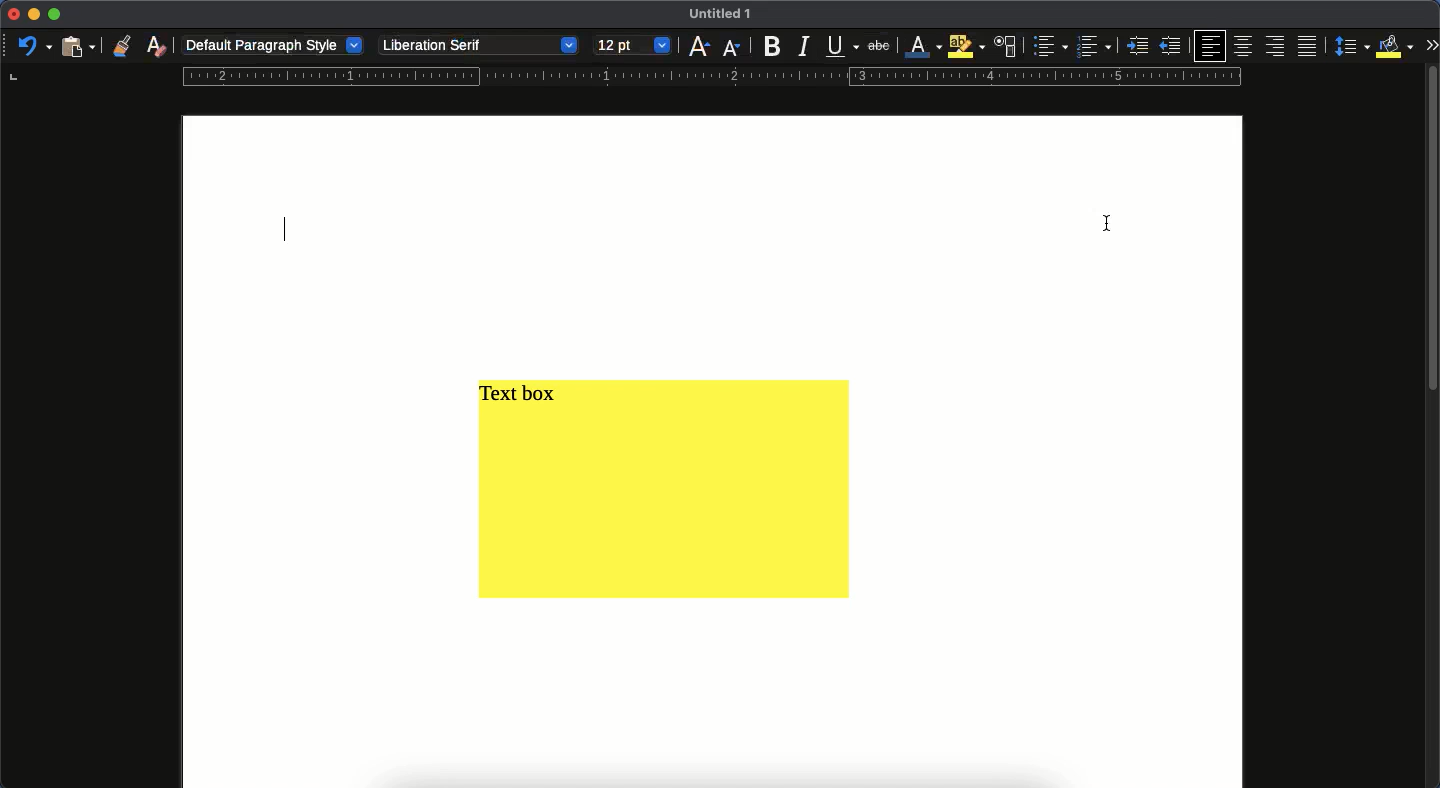 The height and width of the screenshot is (788, 1440). Describe the element at coordinates (1431, 44) in the screenshot. I see `expand` at that location.